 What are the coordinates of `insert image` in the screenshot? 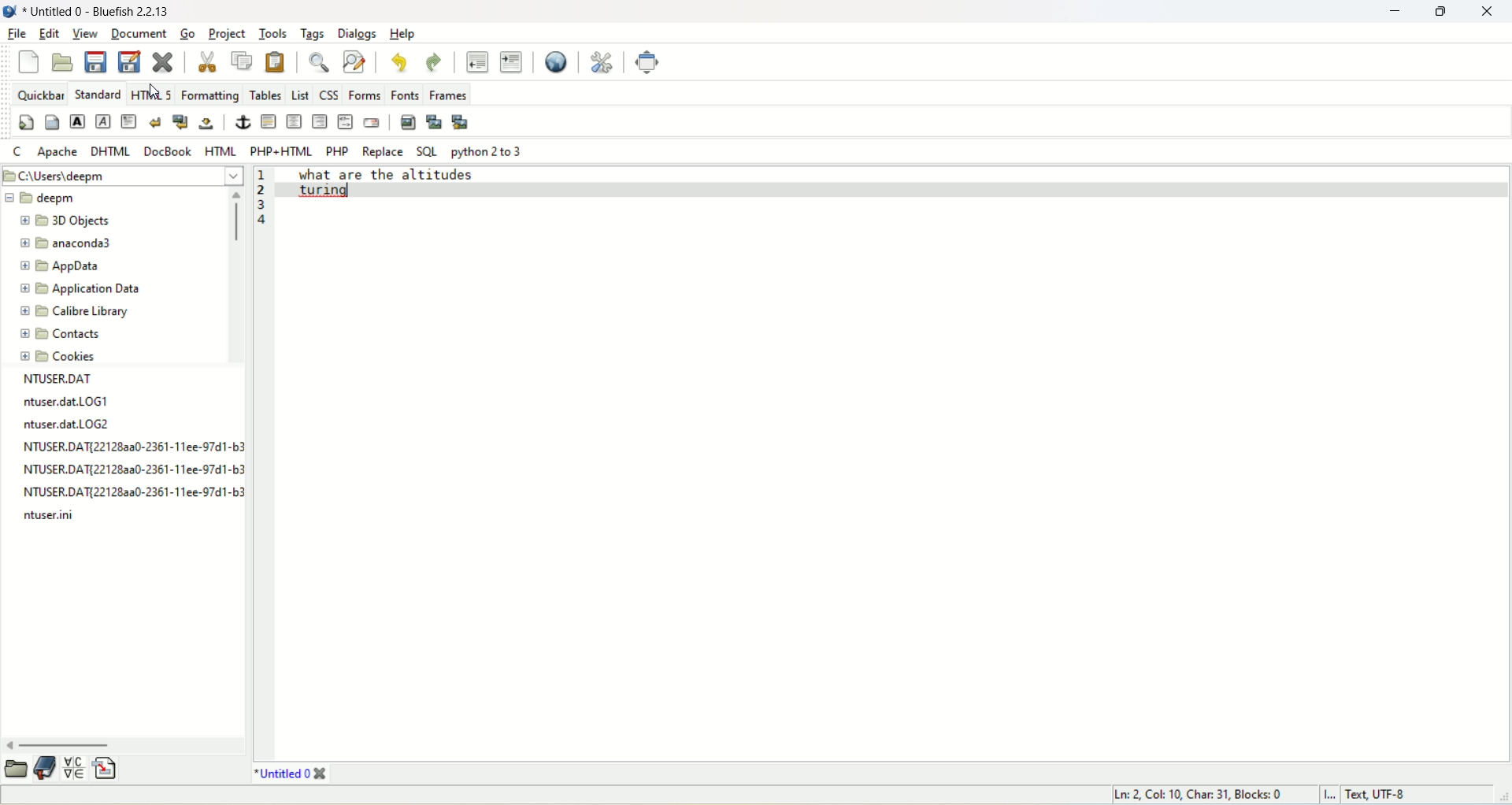 It's located at (408, 122).